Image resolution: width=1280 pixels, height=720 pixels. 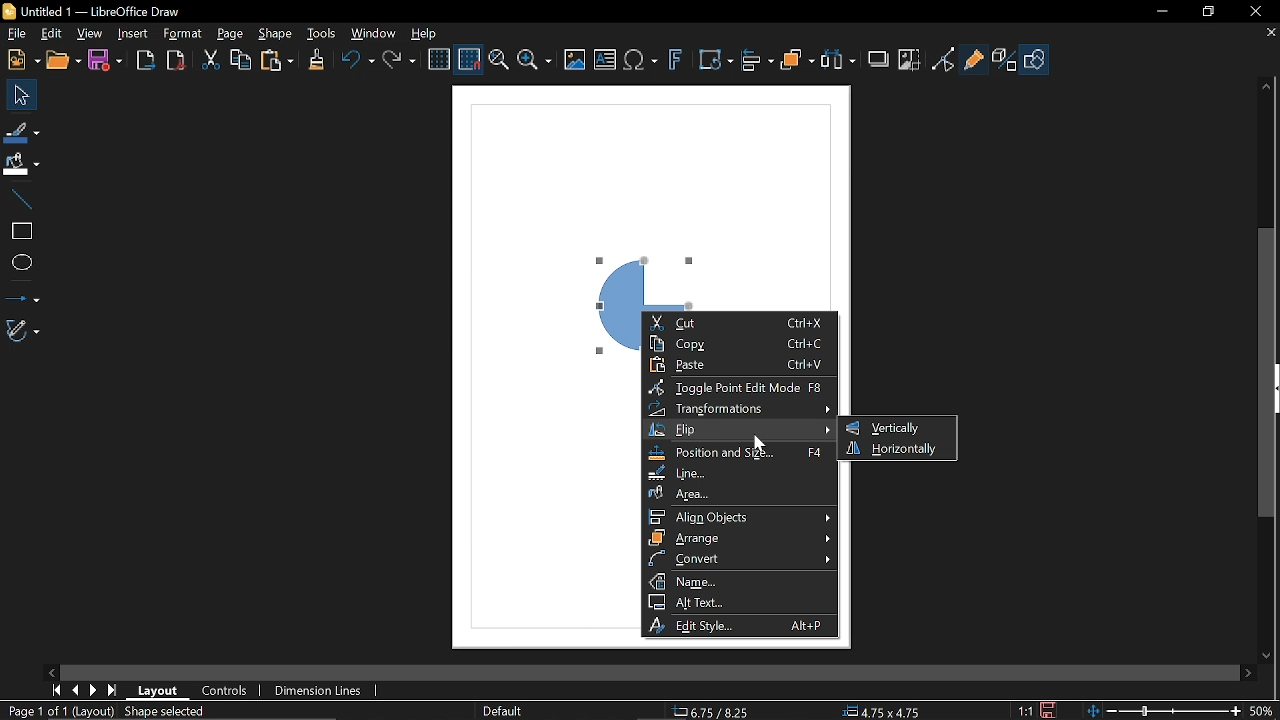 I want to click on View, so click(x=90, y=34).